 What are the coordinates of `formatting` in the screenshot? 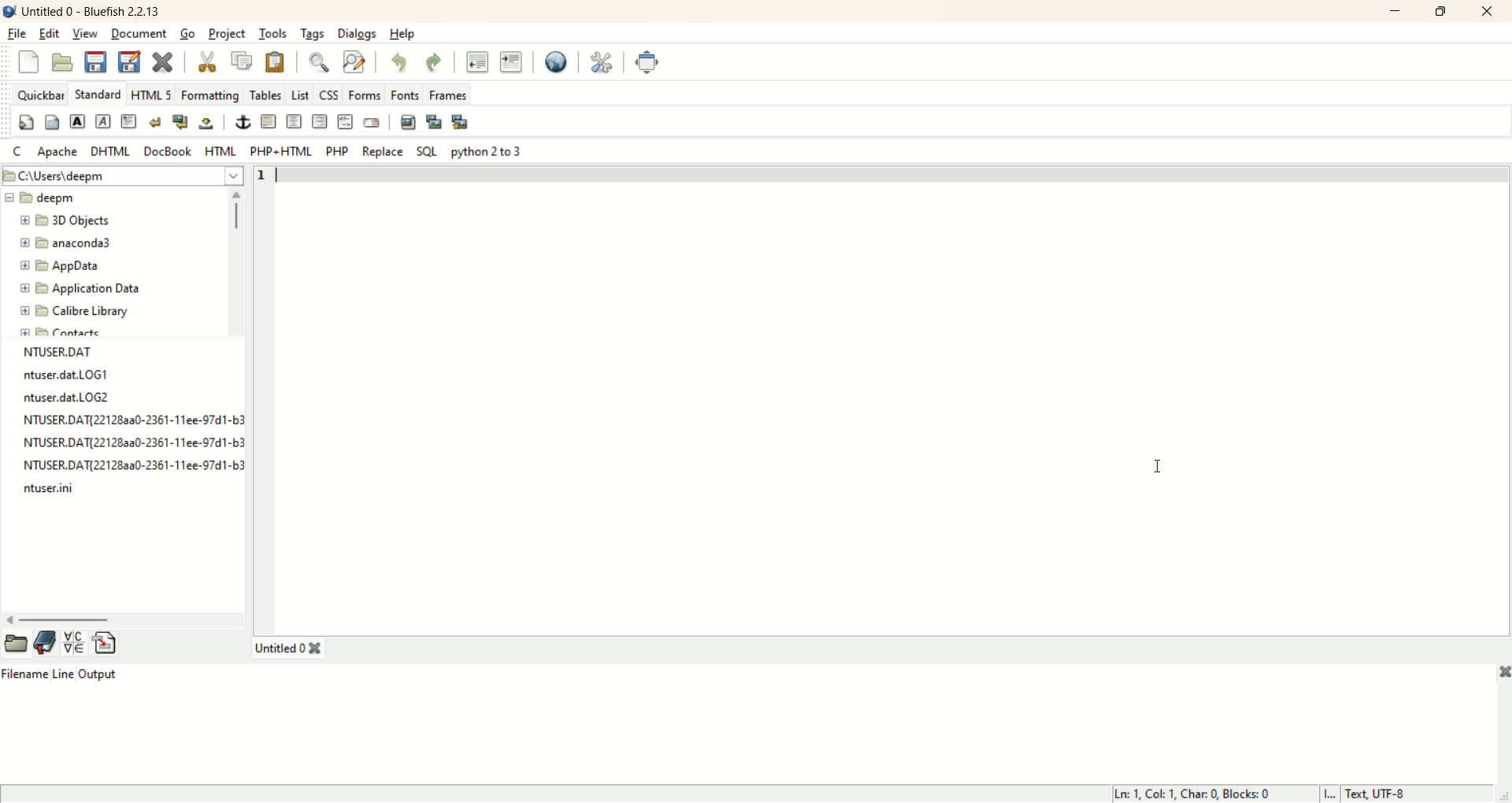 It's located at (210, 95).